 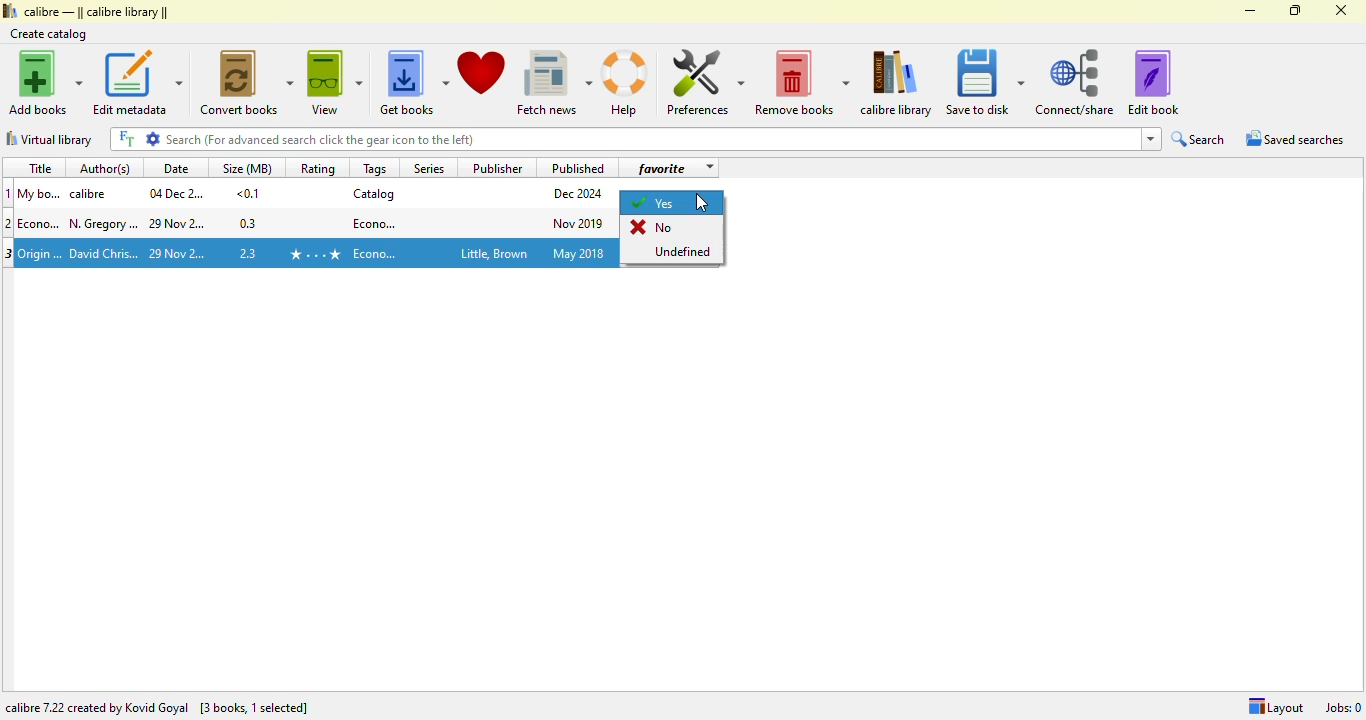 I want to click on [ 3 books, 1 selected], so click(x=255, y=709).